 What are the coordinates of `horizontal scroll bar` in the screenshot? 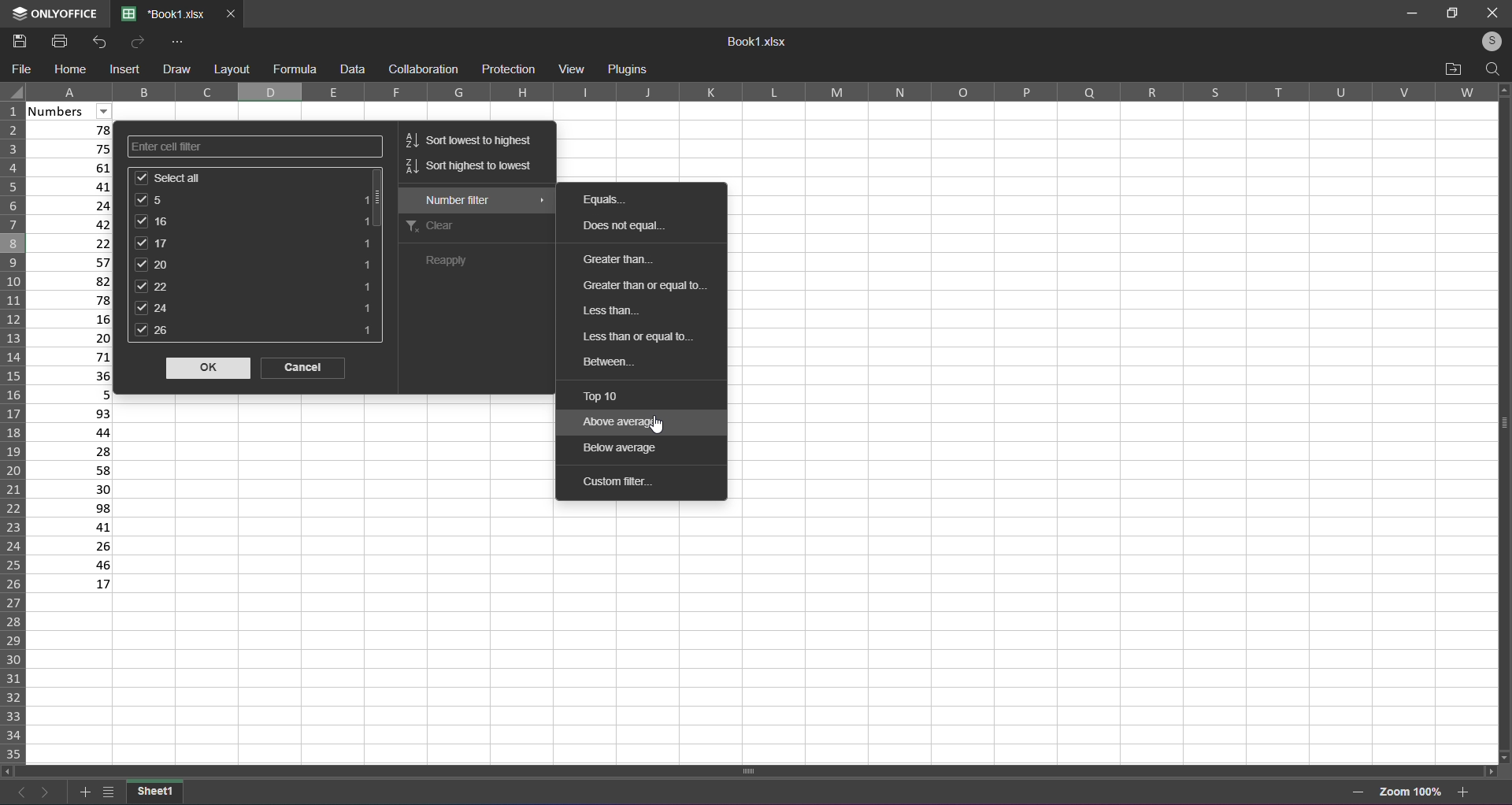 It's located at (754, 769).